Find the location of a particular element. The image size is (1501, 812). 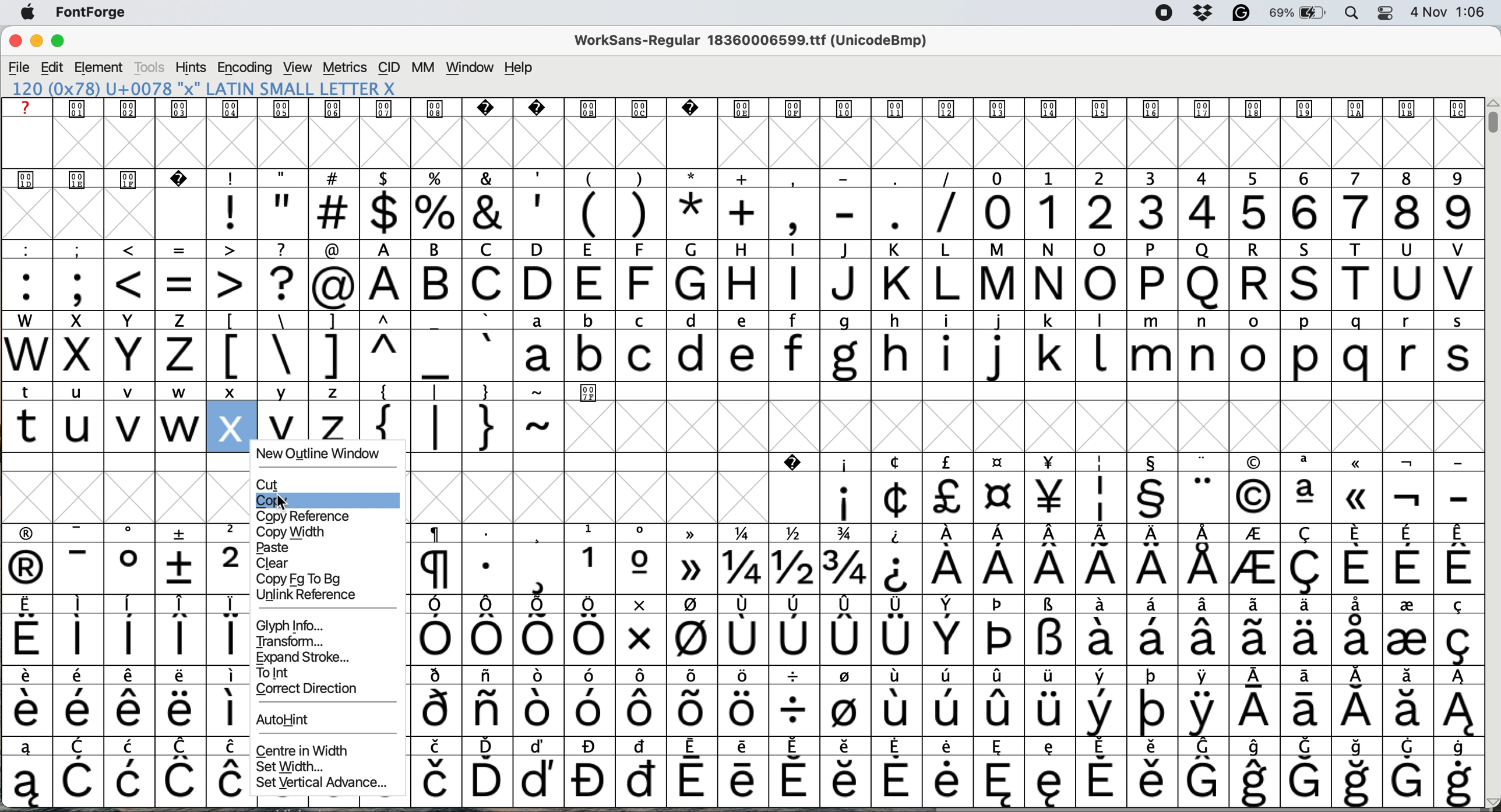

glyph grid is located at coordinates (1022, 427).